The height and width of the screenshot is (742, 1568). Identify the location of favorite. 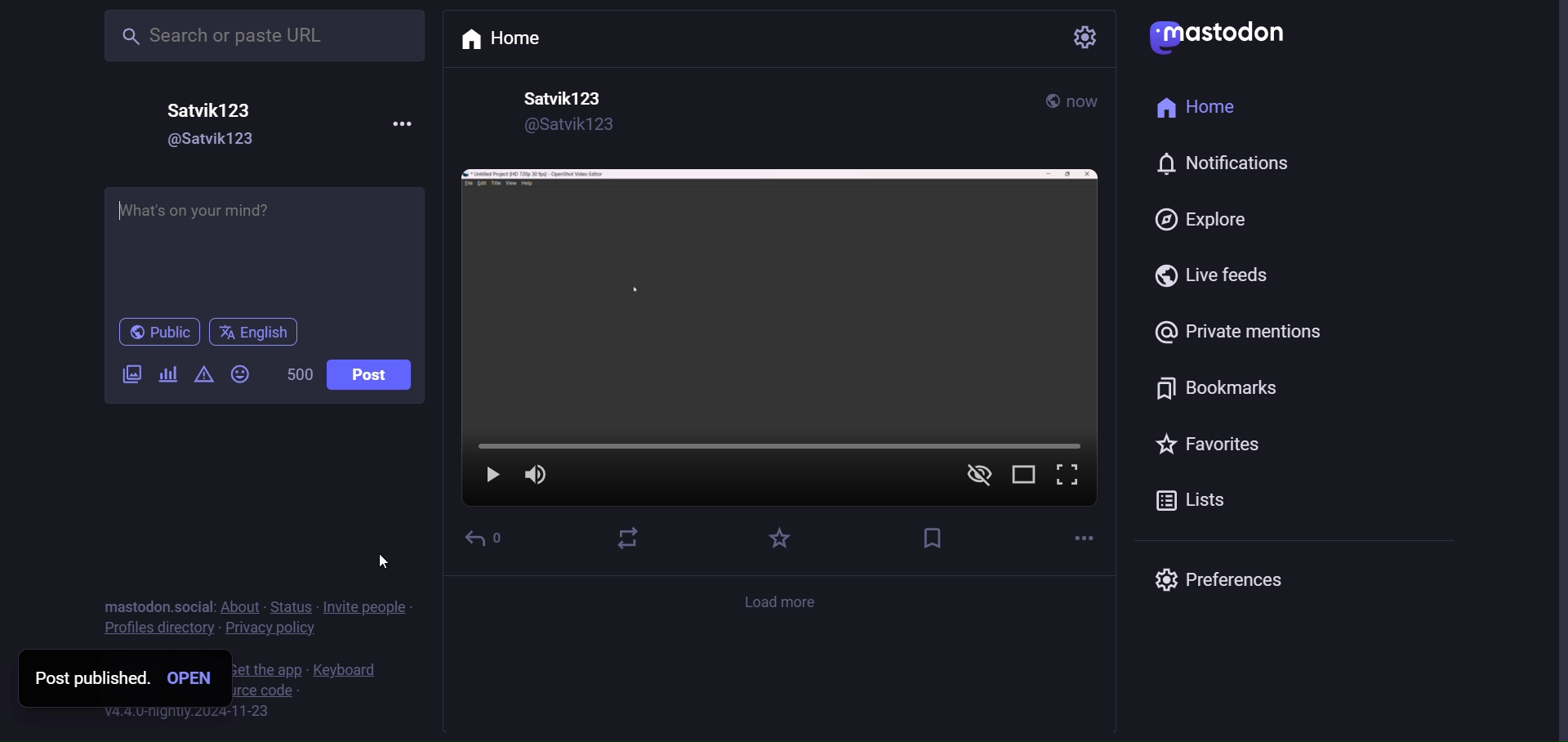
(775, 539).